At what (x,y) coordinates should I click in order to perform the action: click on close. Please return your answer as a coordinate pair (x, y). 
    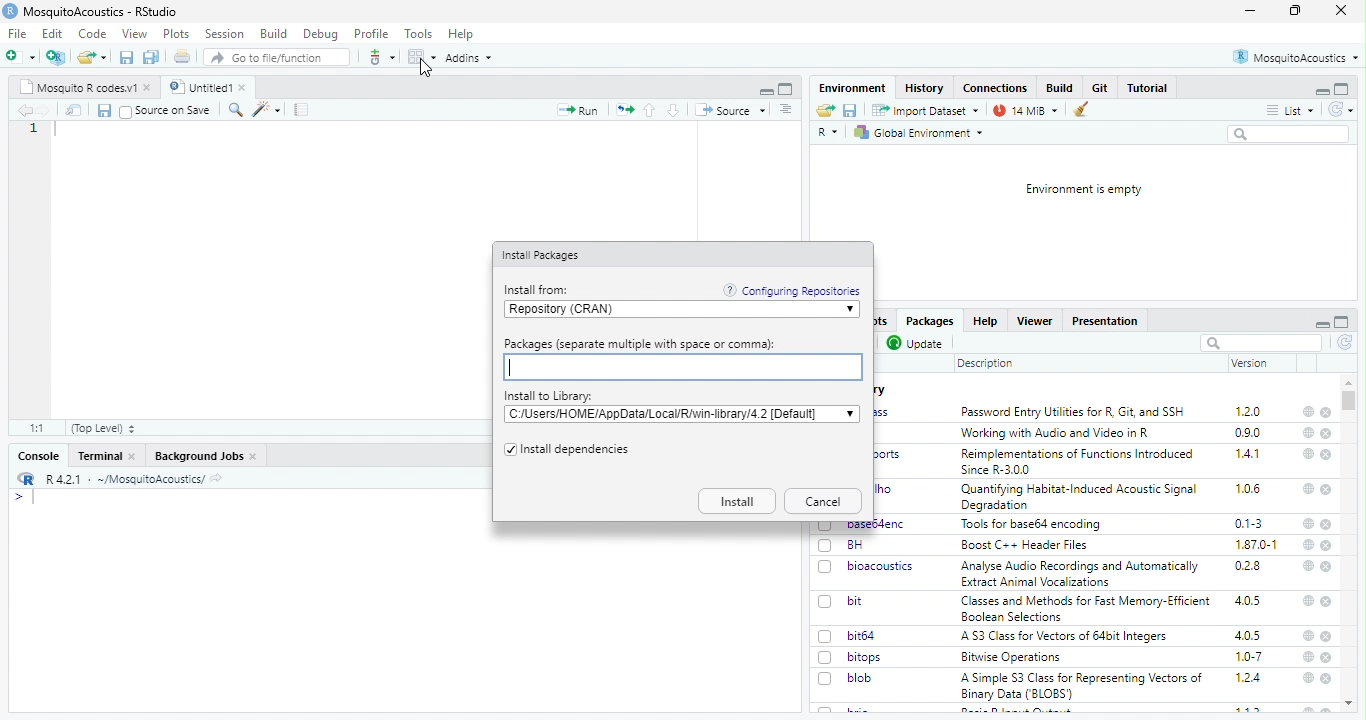
    Looking at the image, I should click on (1328, 413).